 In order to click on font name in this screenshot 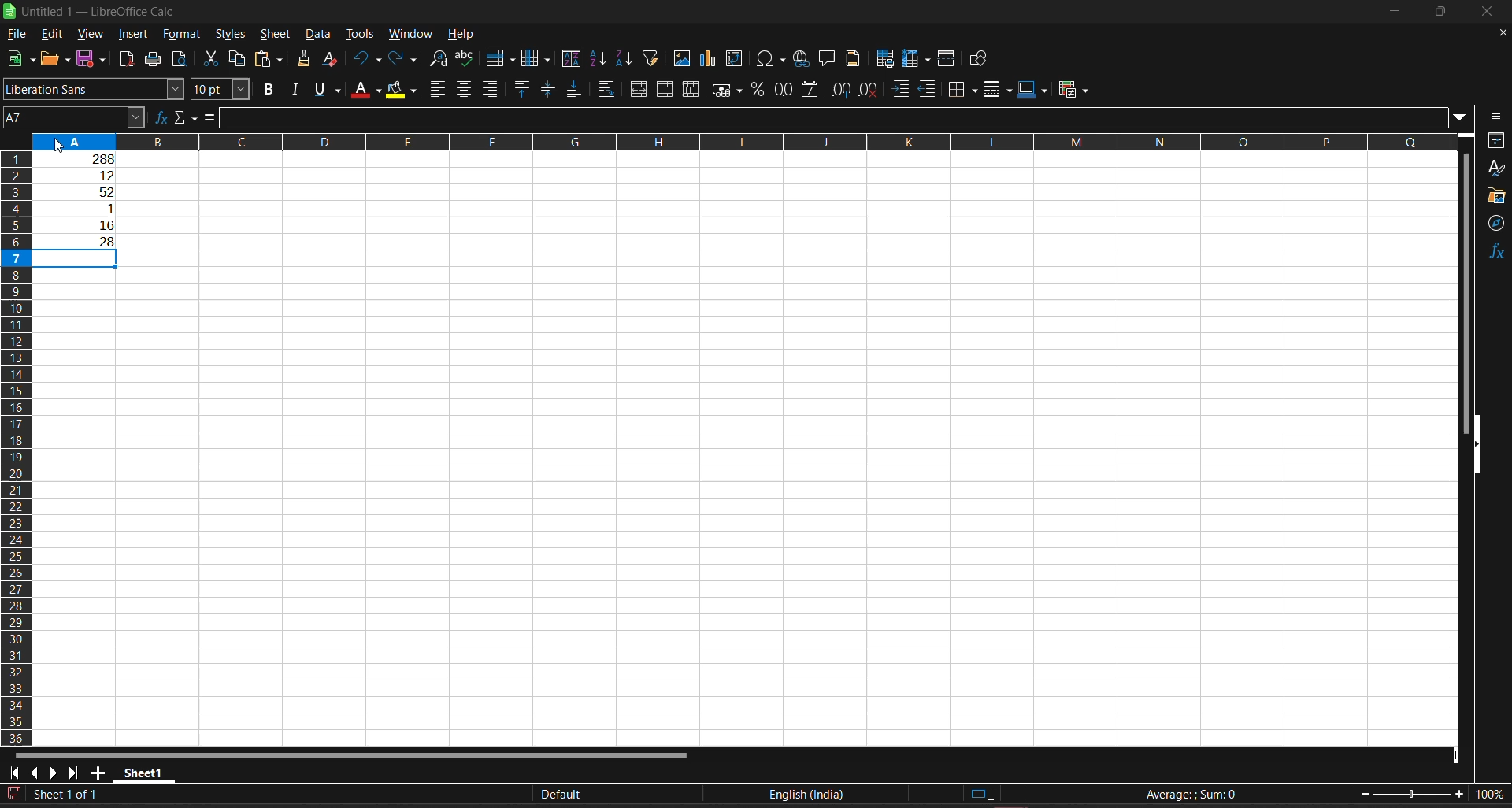, I will do `click(93, 87)`.